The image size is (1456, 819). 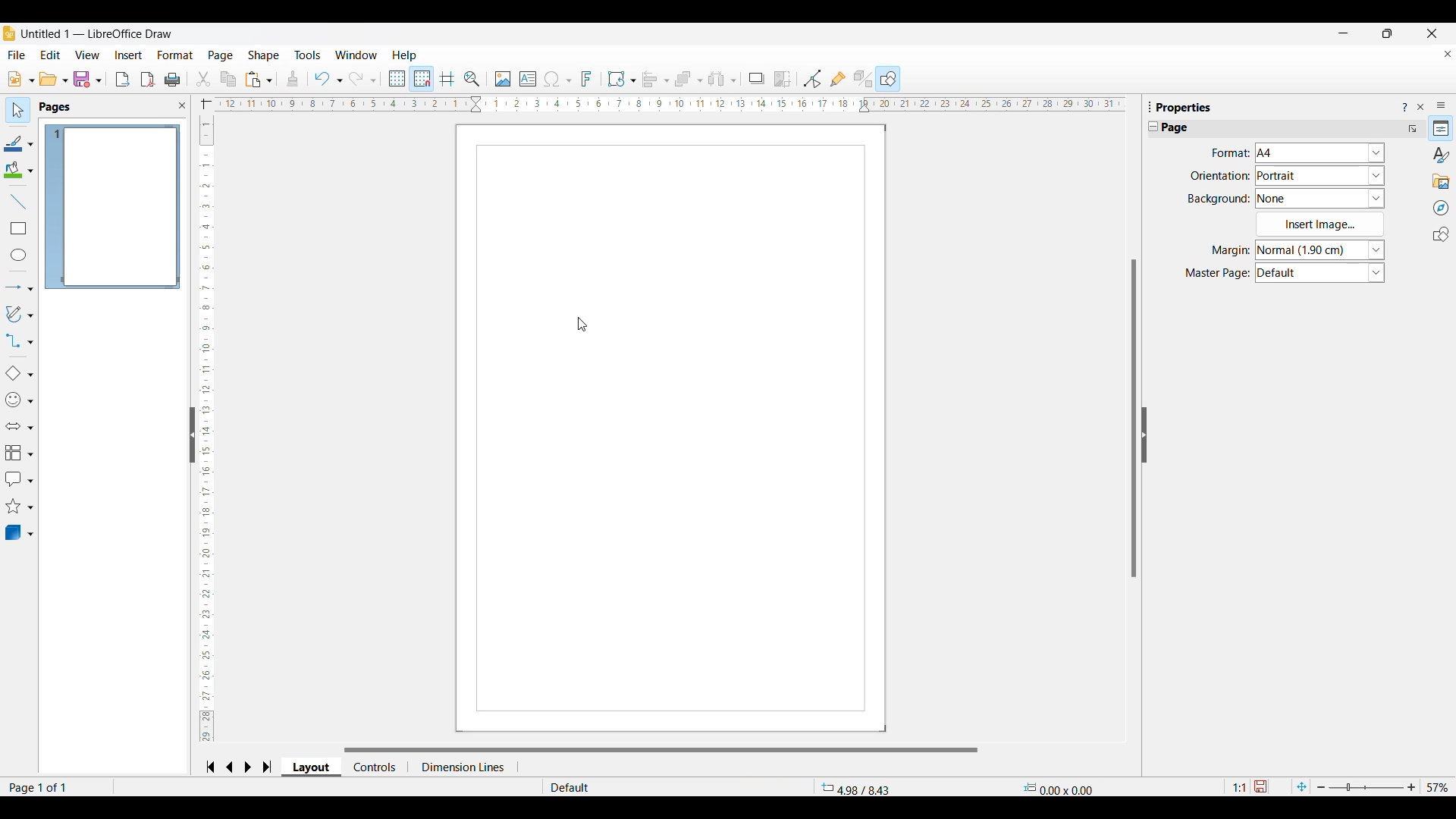 I want to click on Preview of current page highlighted, so click(x=113, y=207).